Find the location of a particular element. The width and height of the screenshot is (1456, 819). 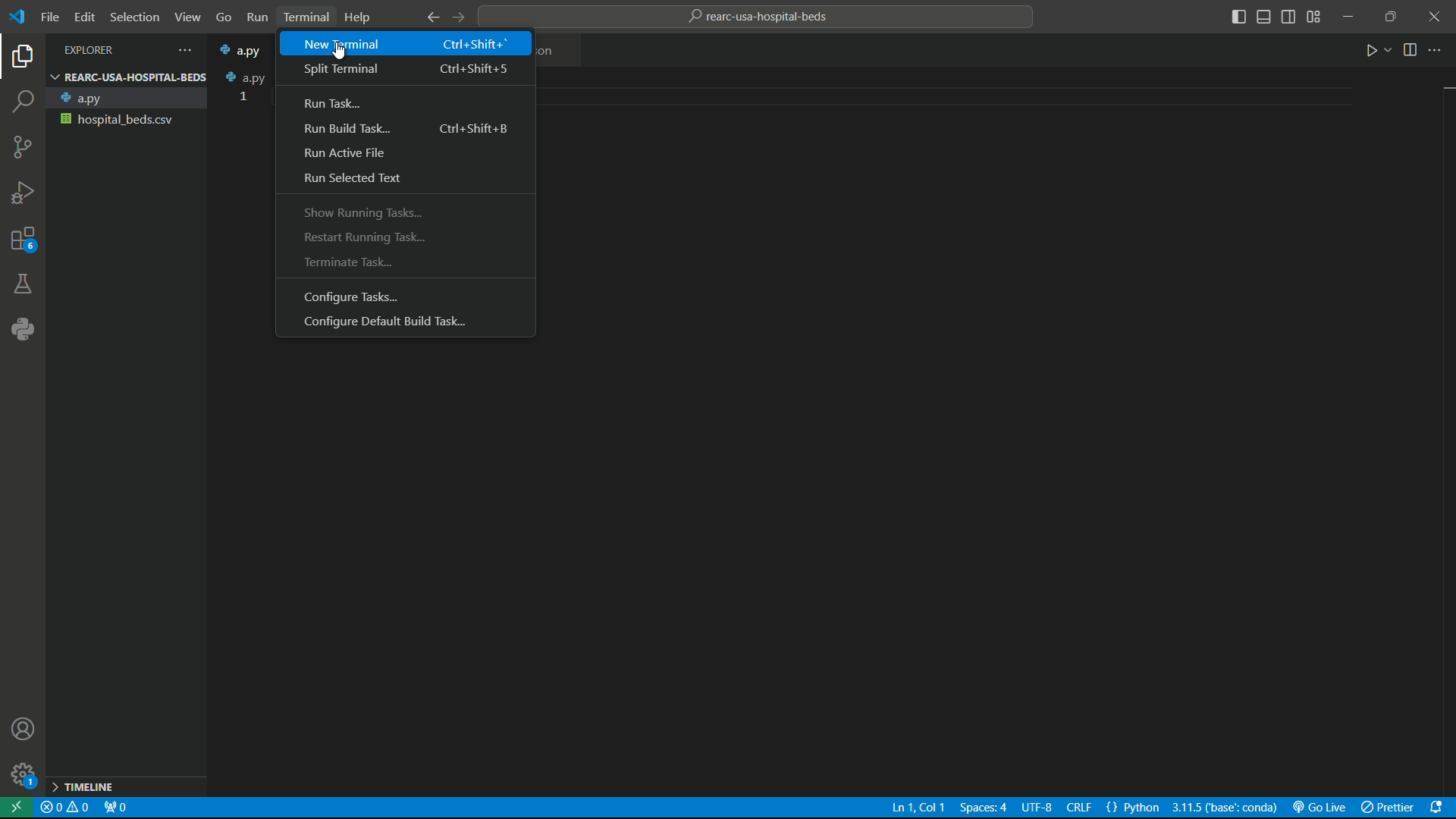

a.py is located at coordinates (128, 99).